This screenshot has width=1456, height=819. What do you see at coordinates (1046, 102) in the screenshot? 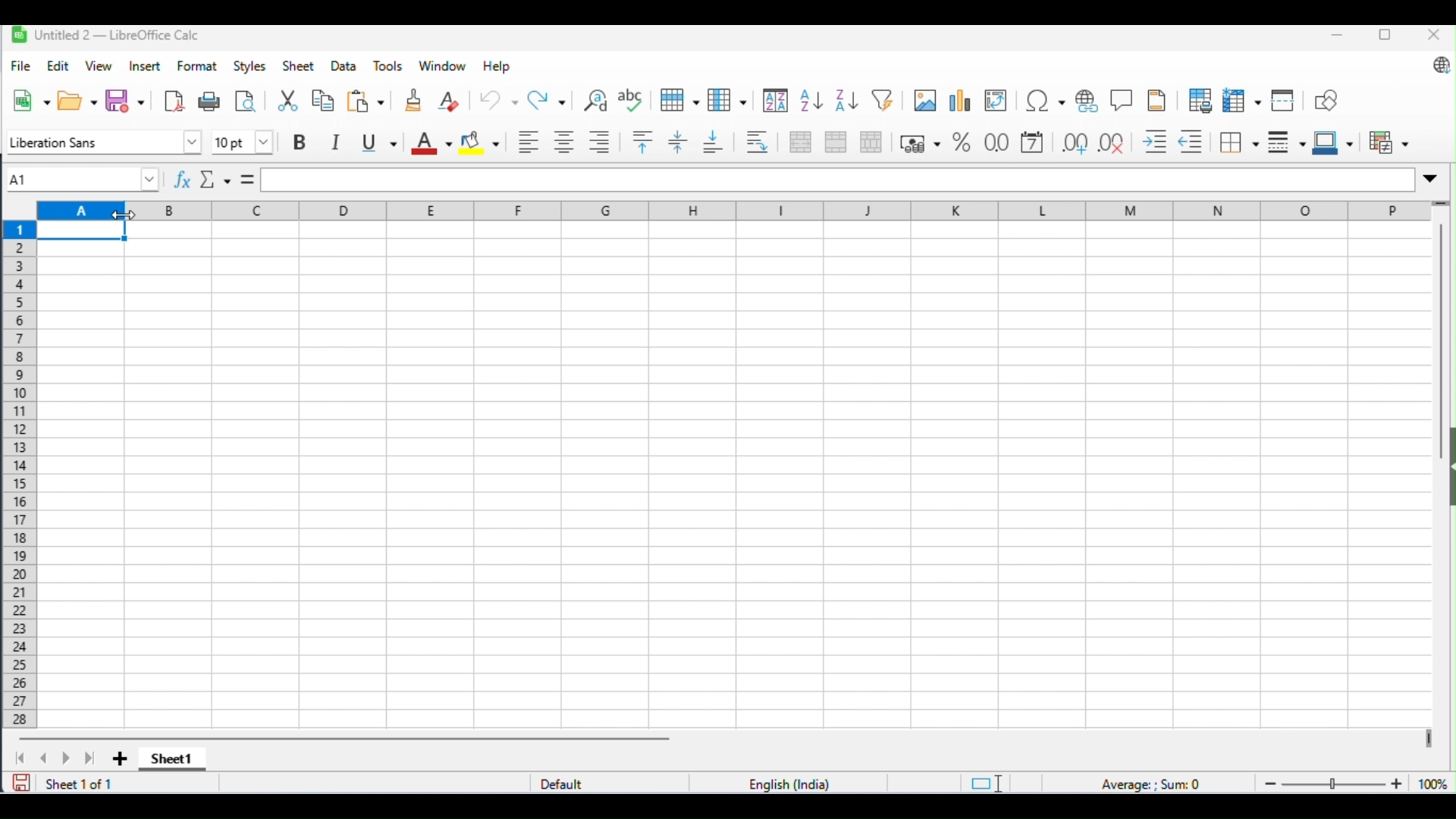
I see `insert special characters` at bounding box center [1046, 102].